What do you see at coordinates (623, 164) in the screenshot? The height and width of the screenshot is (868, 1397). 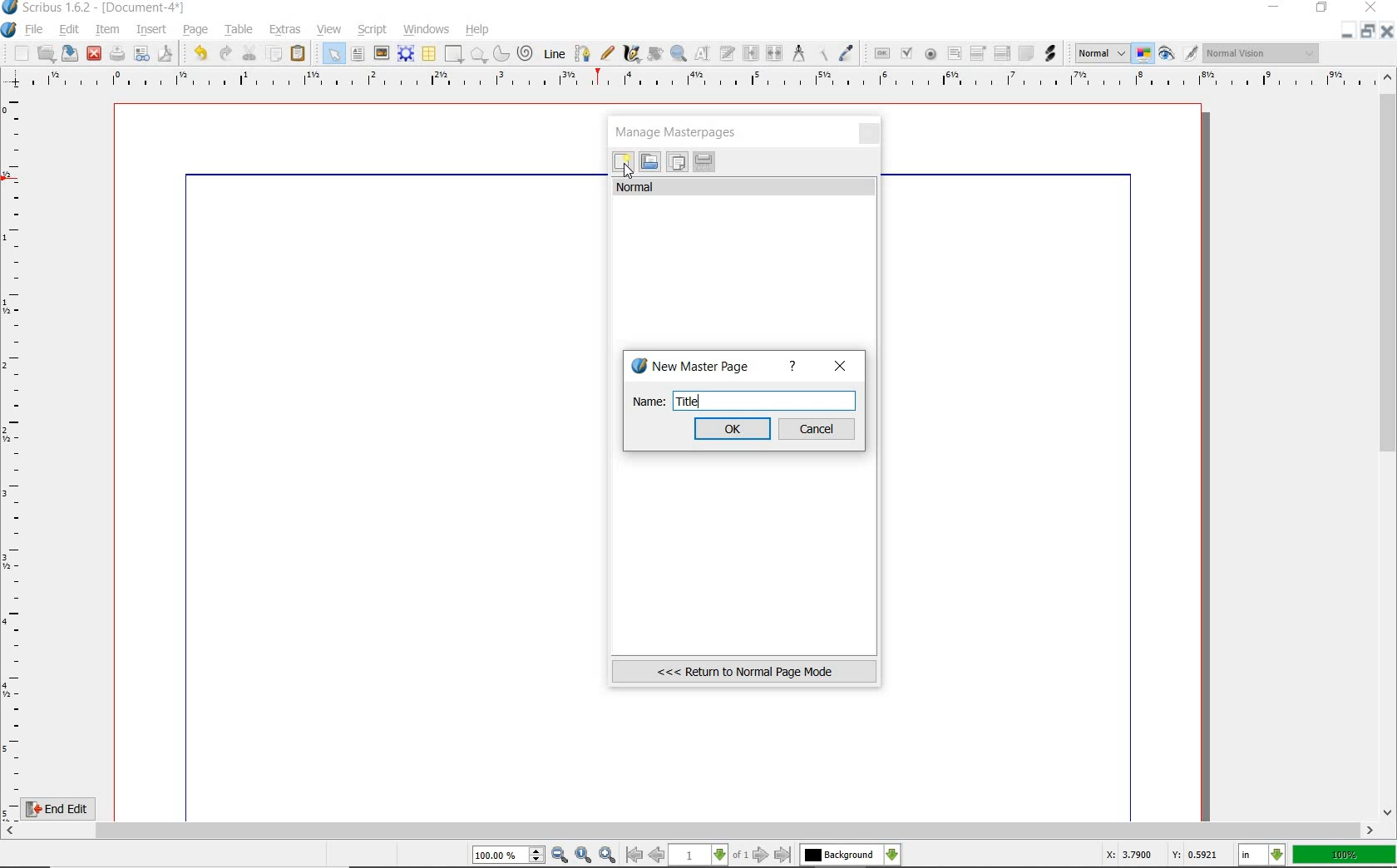 I see `new` at bounding box center [623, 164].